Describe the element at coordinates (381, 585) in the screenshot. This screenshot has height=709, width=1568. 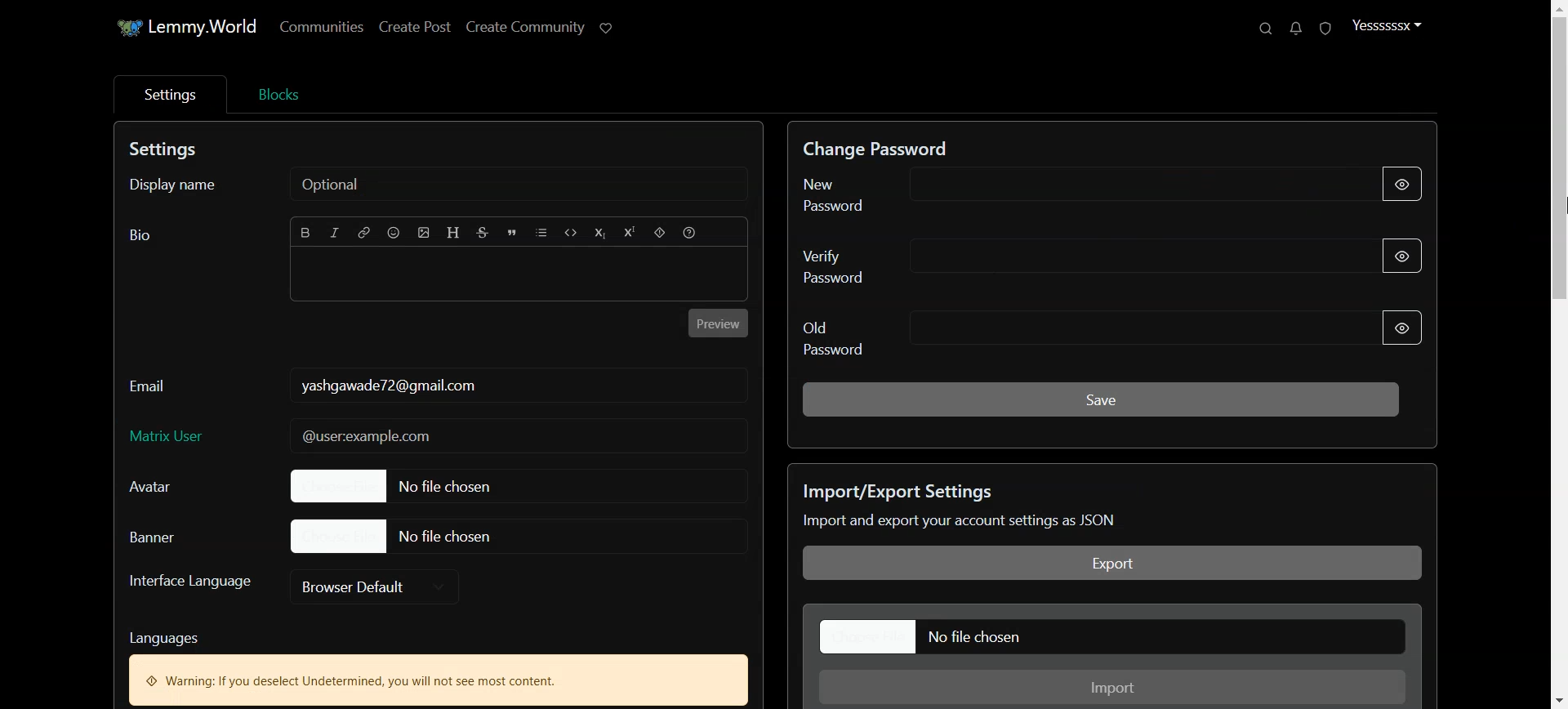
I see `Browser Default` at that location.